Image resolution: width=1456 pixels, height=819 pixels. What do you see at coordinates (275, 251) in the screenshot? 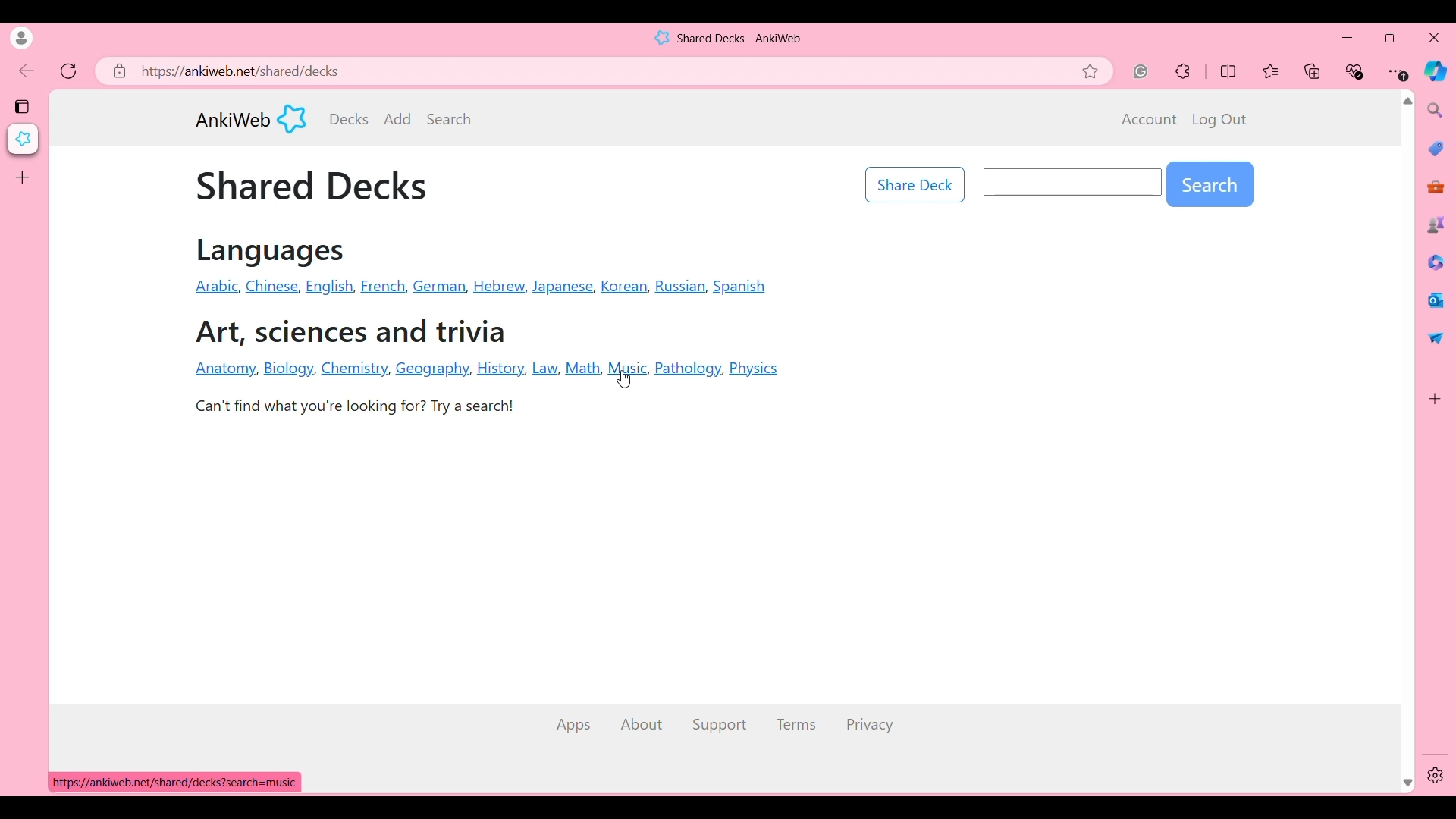
I see `Languages` at bounding box center [275, 251].